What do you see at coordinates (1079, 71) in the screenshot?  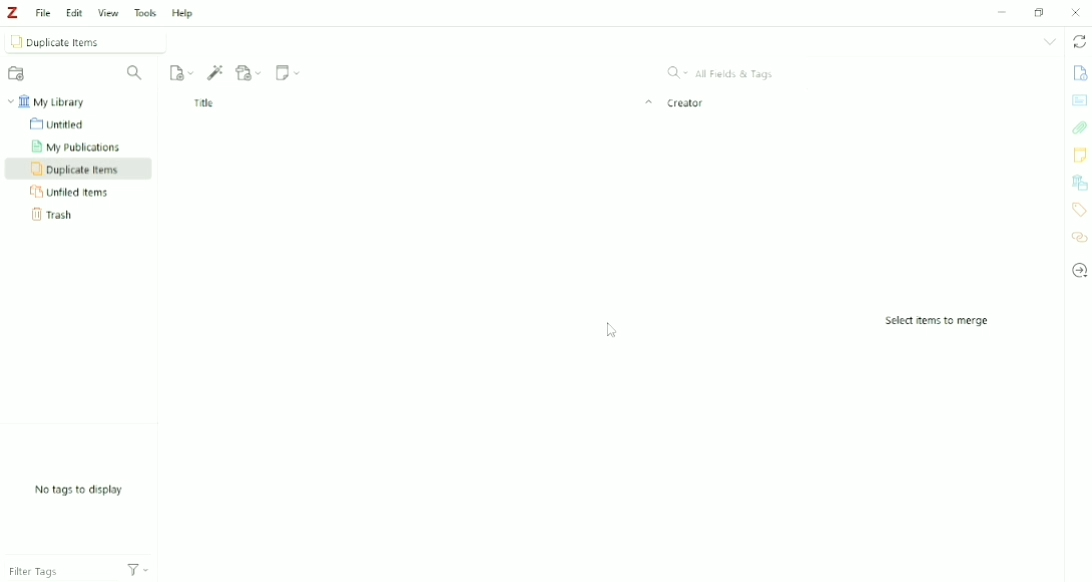 I see `Info` at bounding box center [1079, 71].